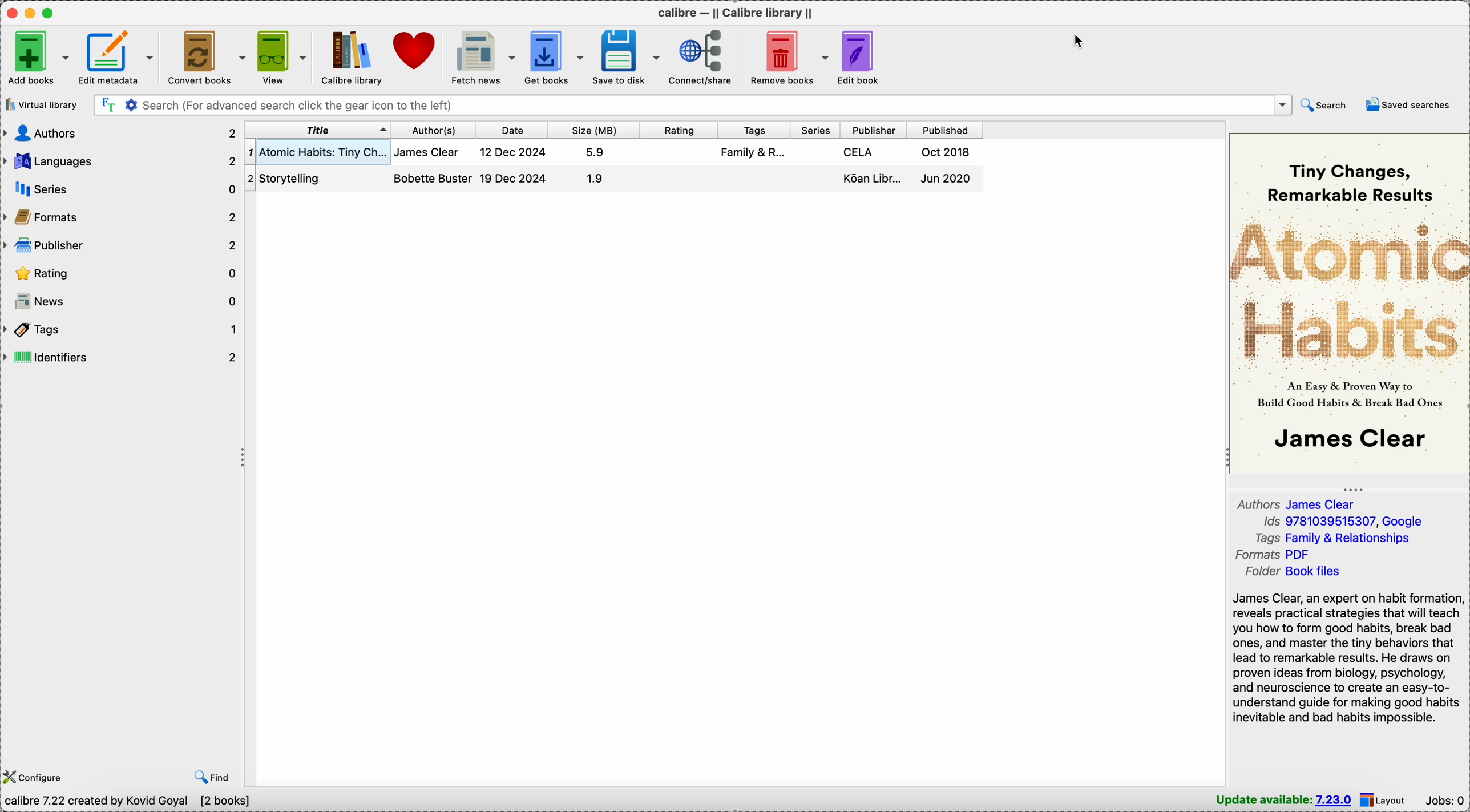 The width and height of the screenshot is (1470, 812). What do you see at coordinates (555, 56) in the screenshot?
I see `get books` at bounding box center [555, 56].